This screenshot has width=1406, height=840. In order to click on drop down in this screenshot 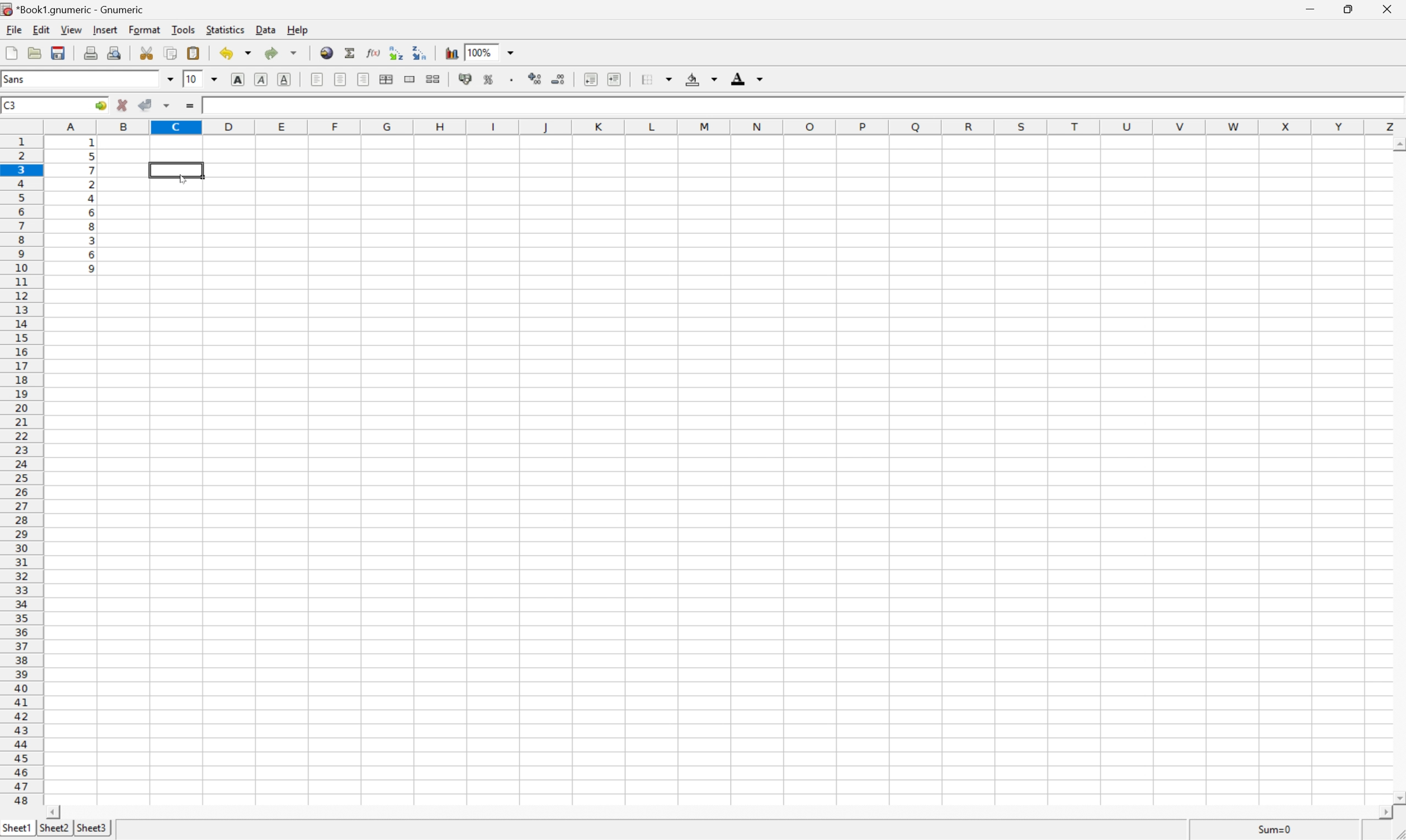, I will do `click(514, 52)`.